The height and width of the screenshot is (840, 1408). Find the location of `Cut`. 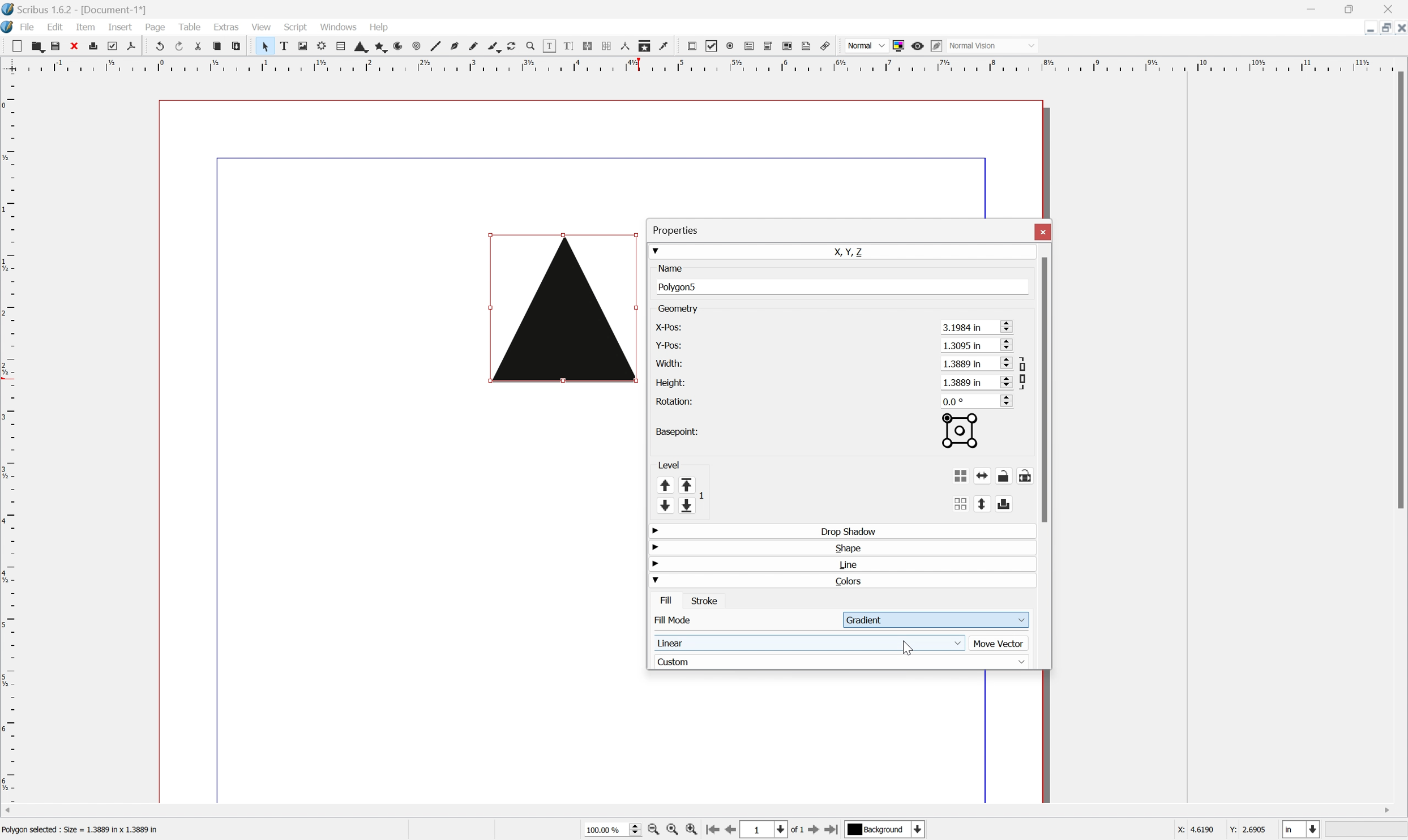

Cut is located at coordinates (196, 46).